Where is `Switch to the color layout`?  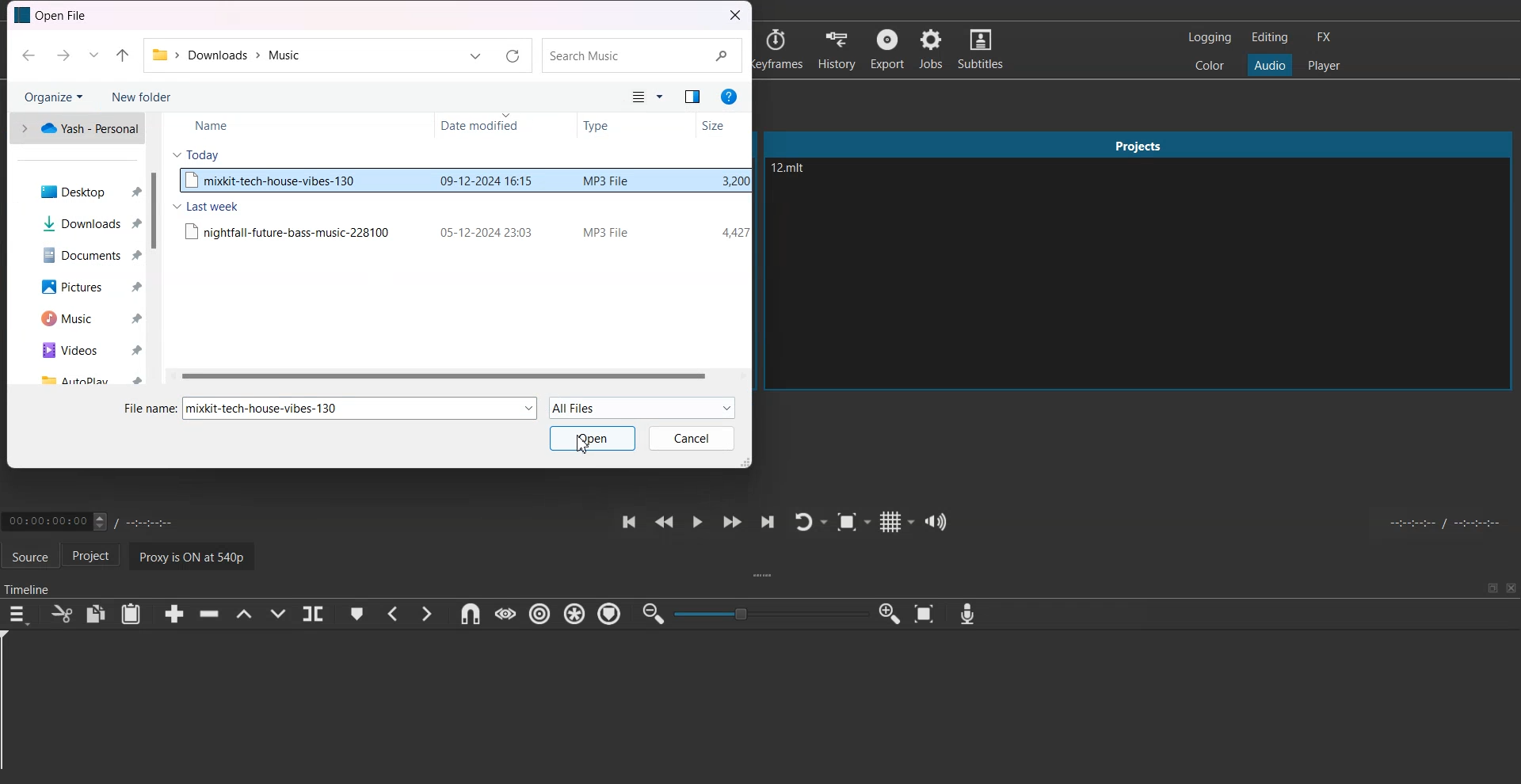 Switch to the color layout is located at coordinates (1211, 66).